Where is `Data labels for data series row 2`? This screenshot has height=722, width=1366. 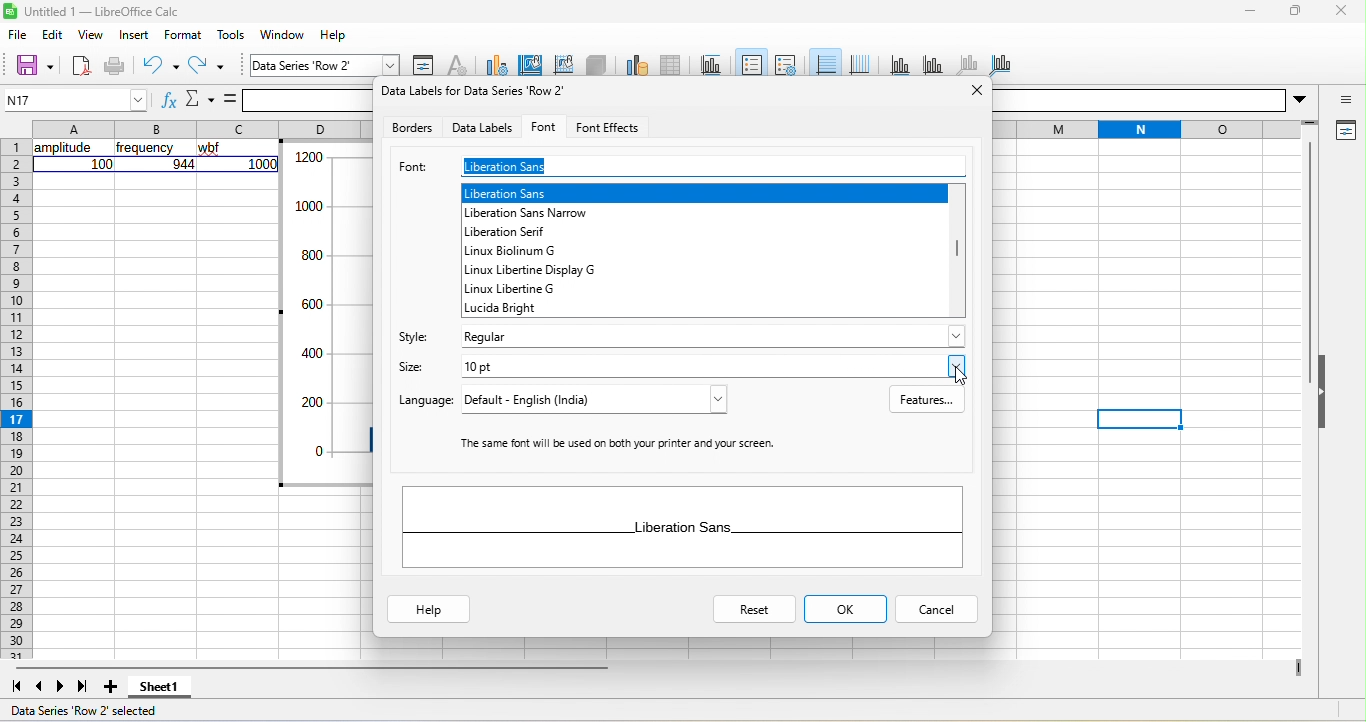 Data labels for data series row 2 is located at coordinates (483, 90).